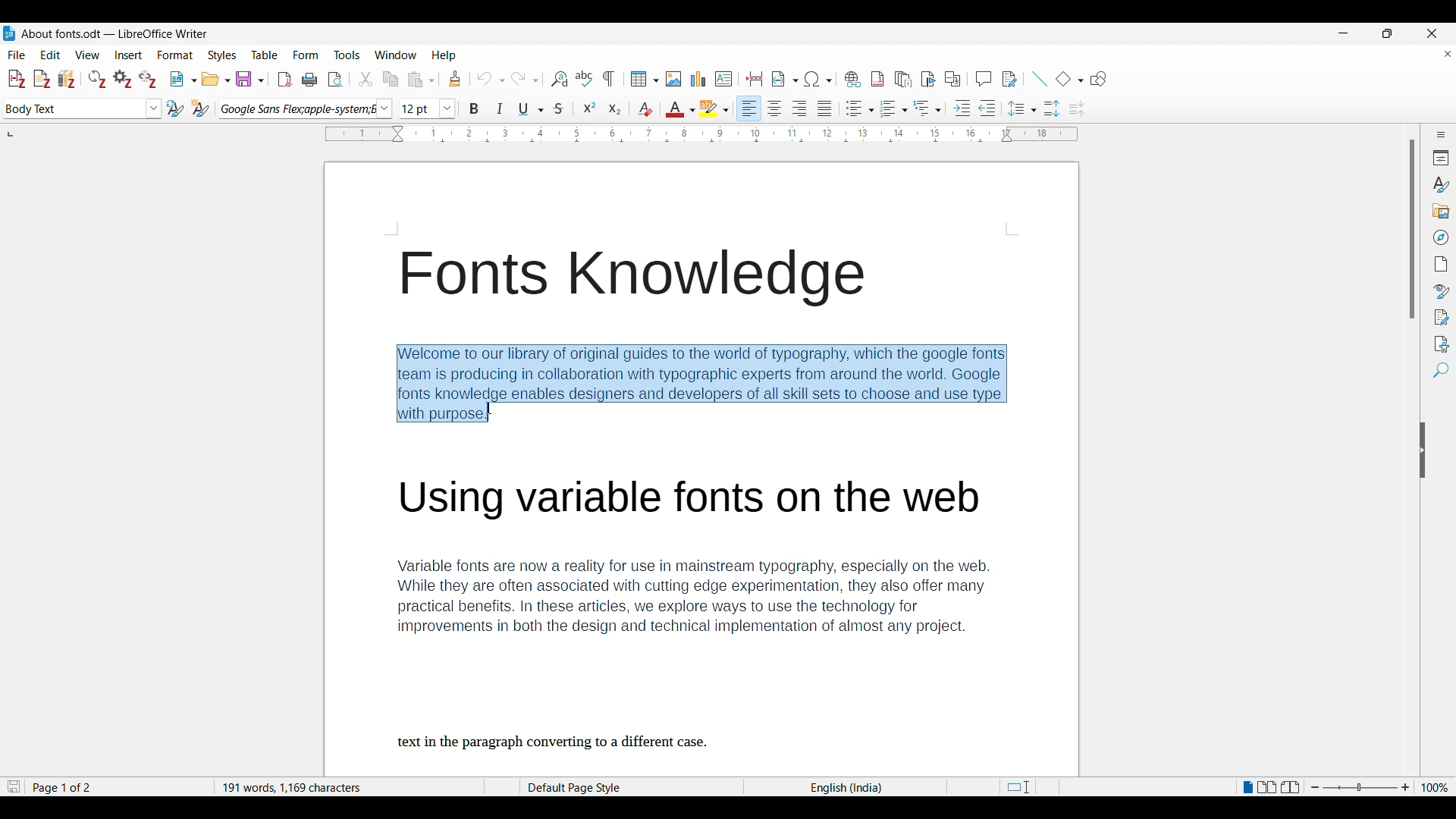  I want to click on Toggle formatting marks, so click(609, 79).